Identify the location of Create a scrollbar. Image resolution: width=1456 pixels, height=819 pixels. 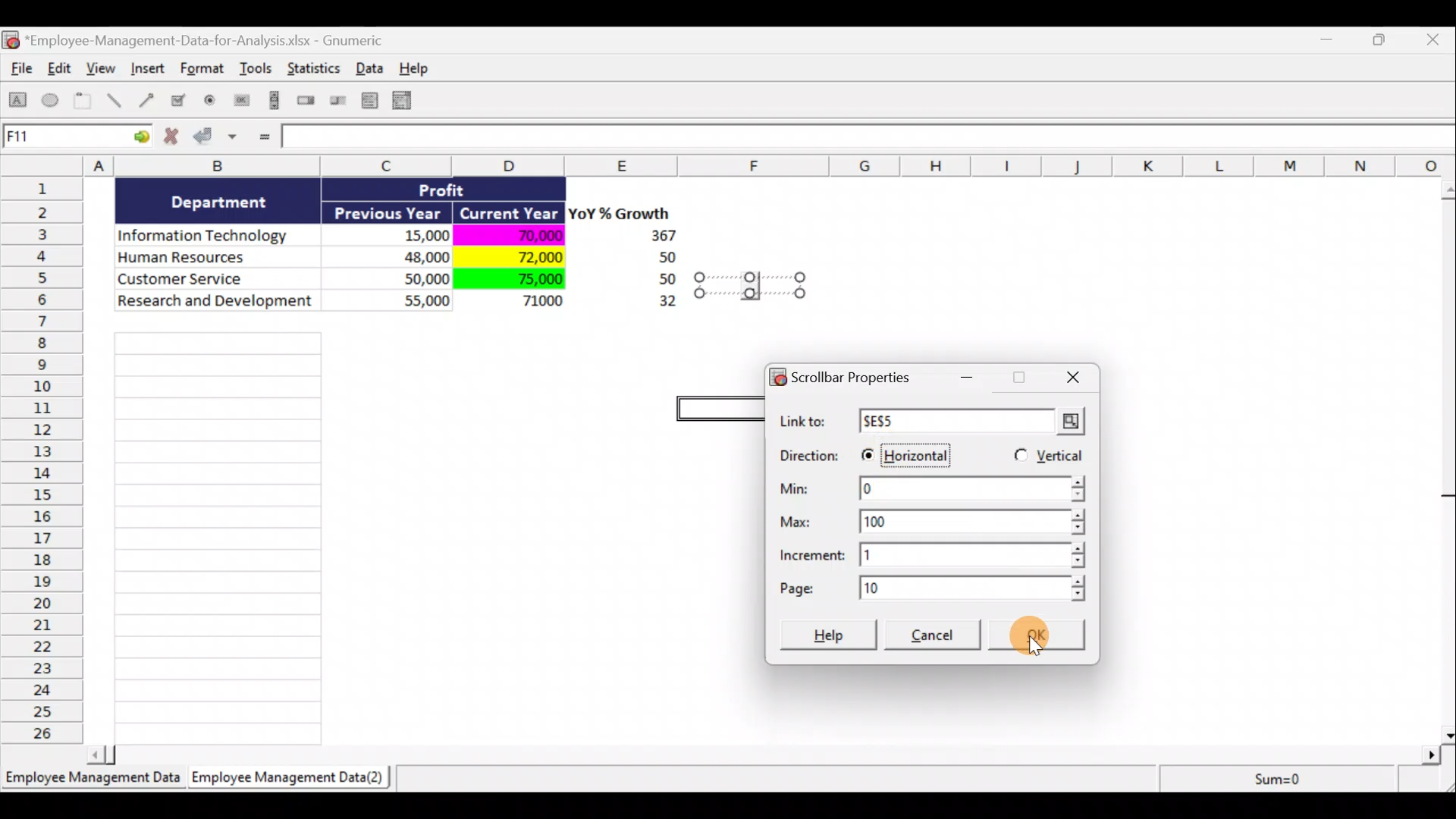
(272, 103).